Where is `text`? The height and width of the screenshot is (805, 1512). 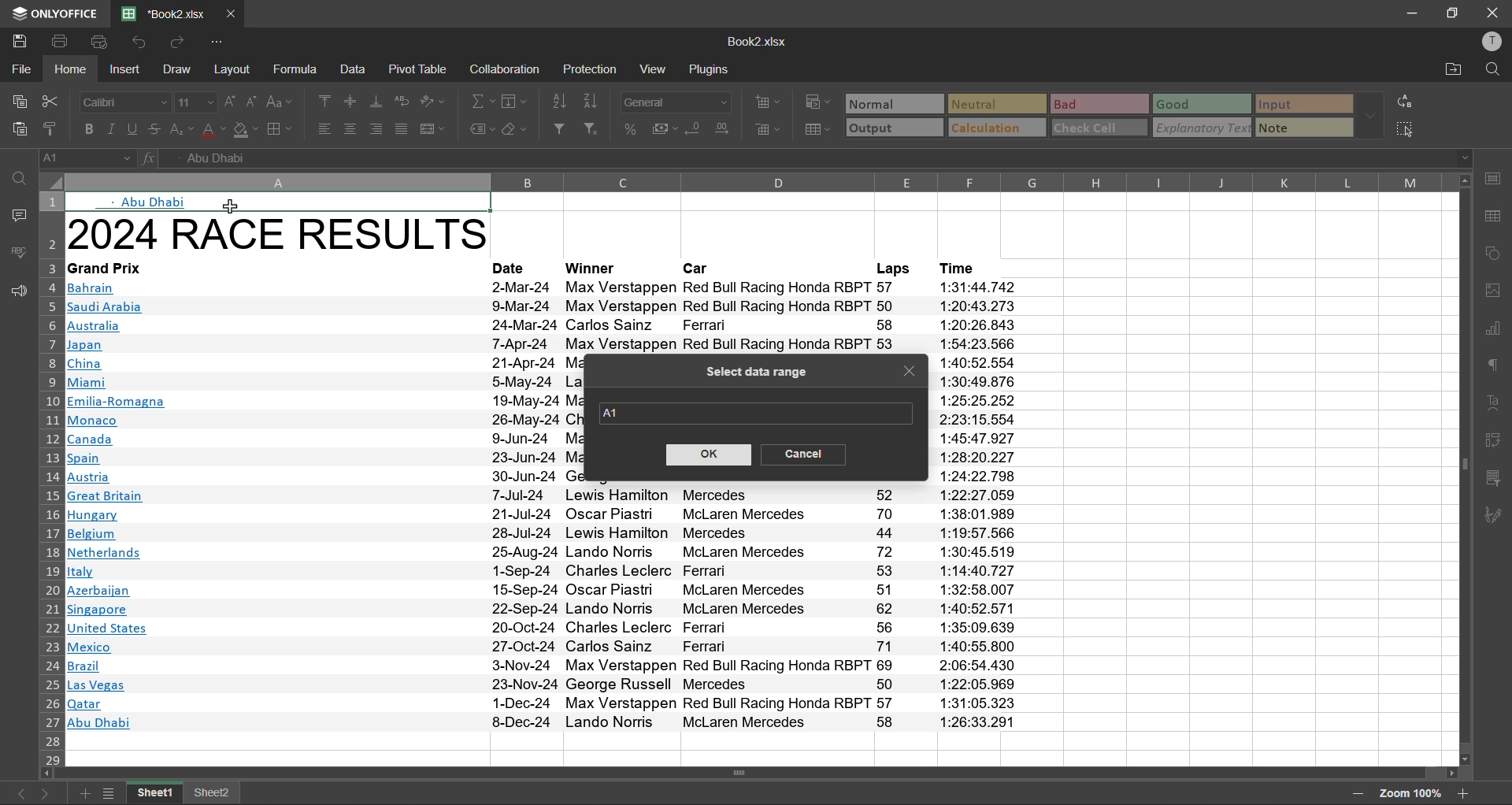 text is located at coordinates (1495, 400).